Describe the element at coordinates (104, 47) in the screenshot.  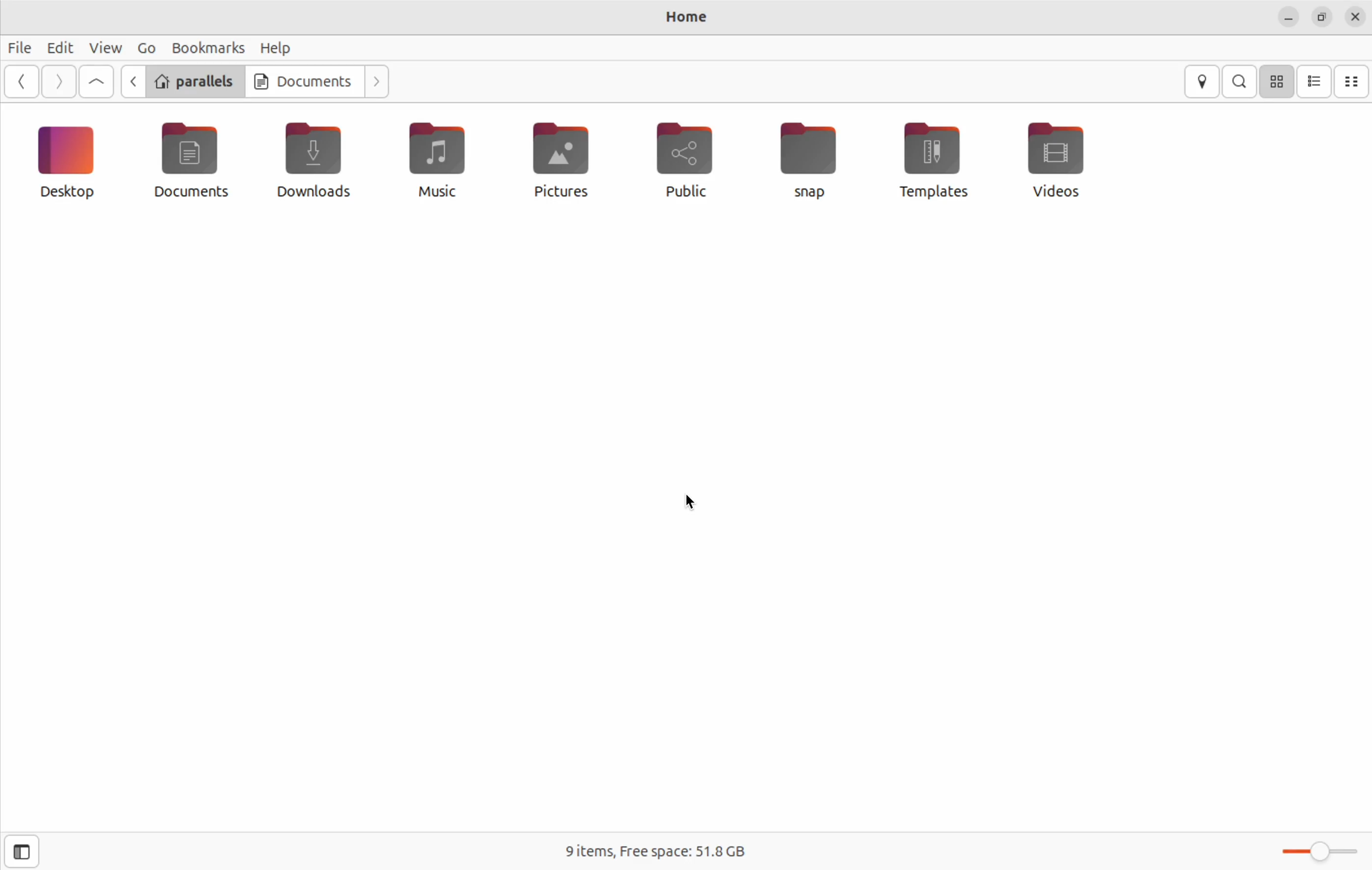
I see `View` at that location.